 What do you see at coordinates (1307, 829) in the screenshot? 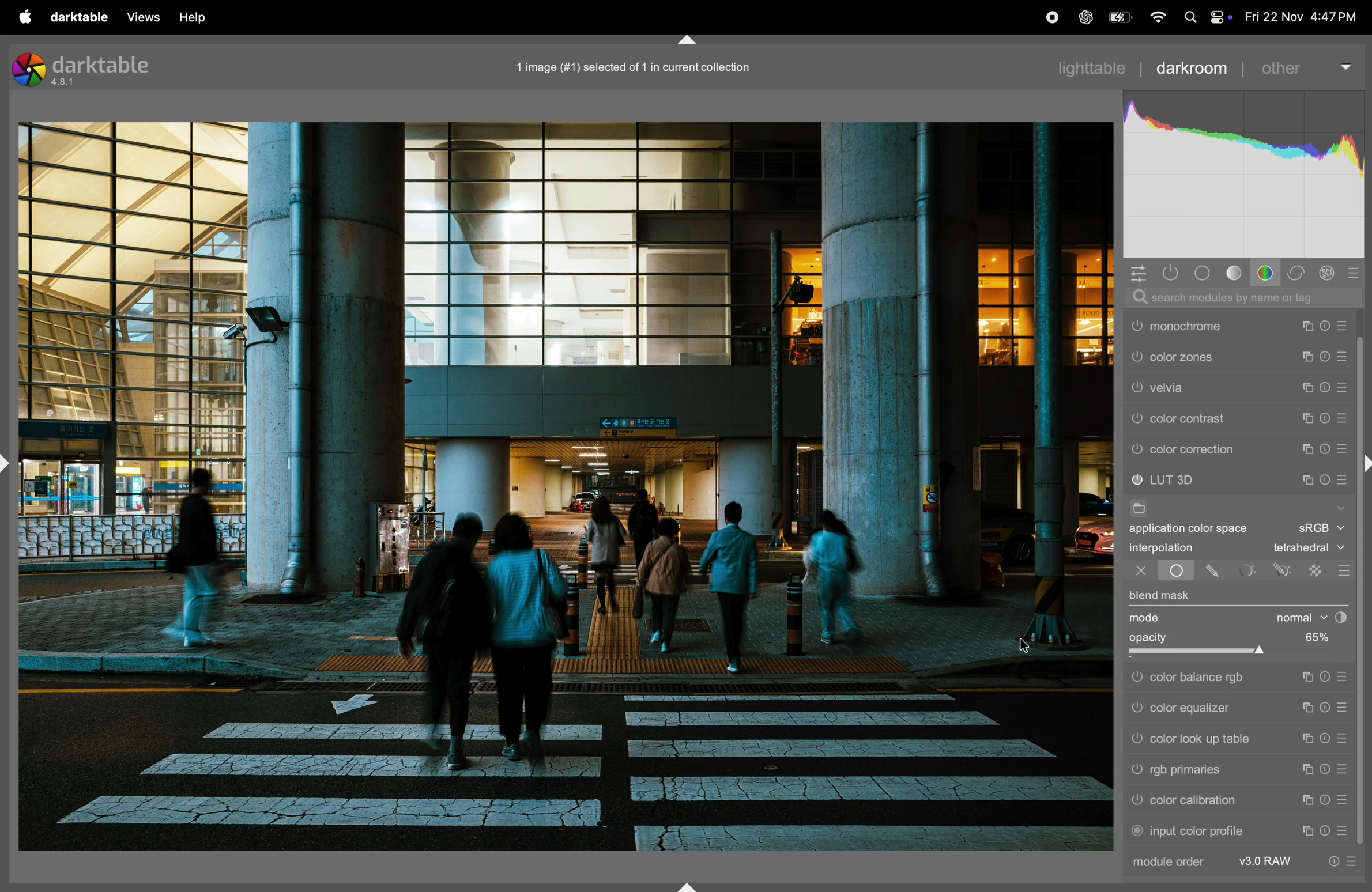
I see `multiple instance actions` at bounding box center [1307, 829].